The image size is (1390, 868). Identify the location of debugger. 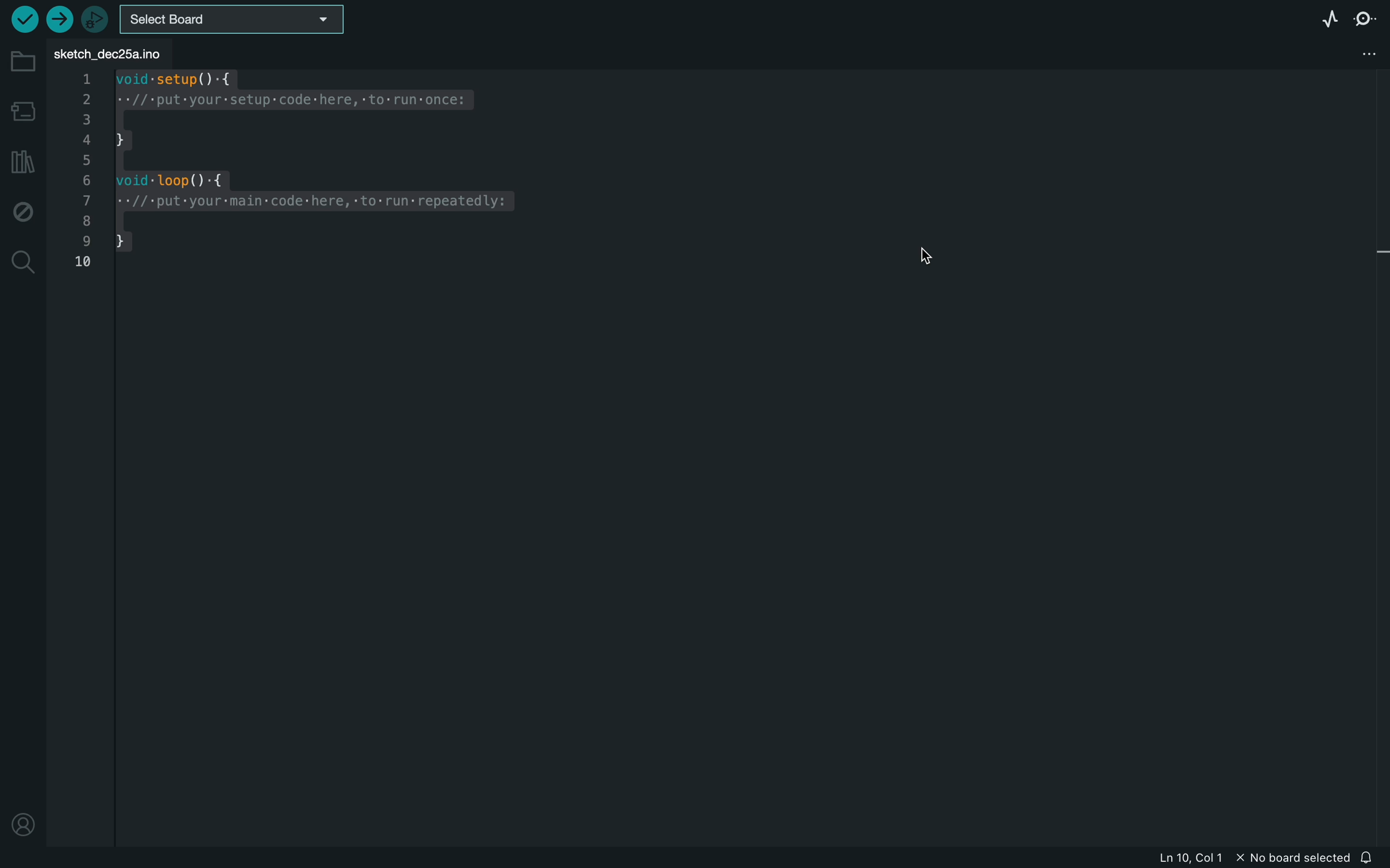
(96, 20).